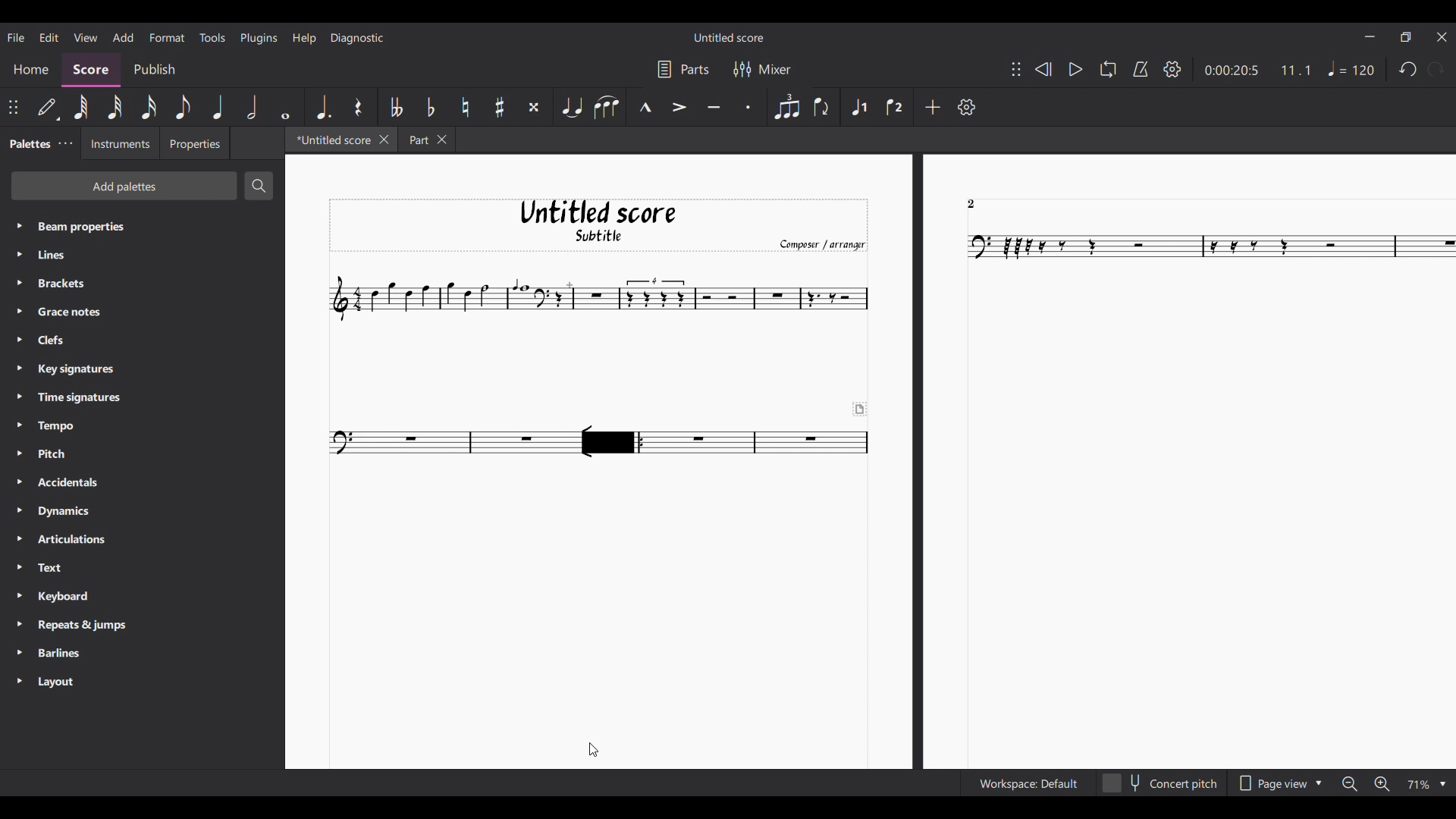 The image size is (1456, 819). I want to click on Add menu, so click(124, 37).